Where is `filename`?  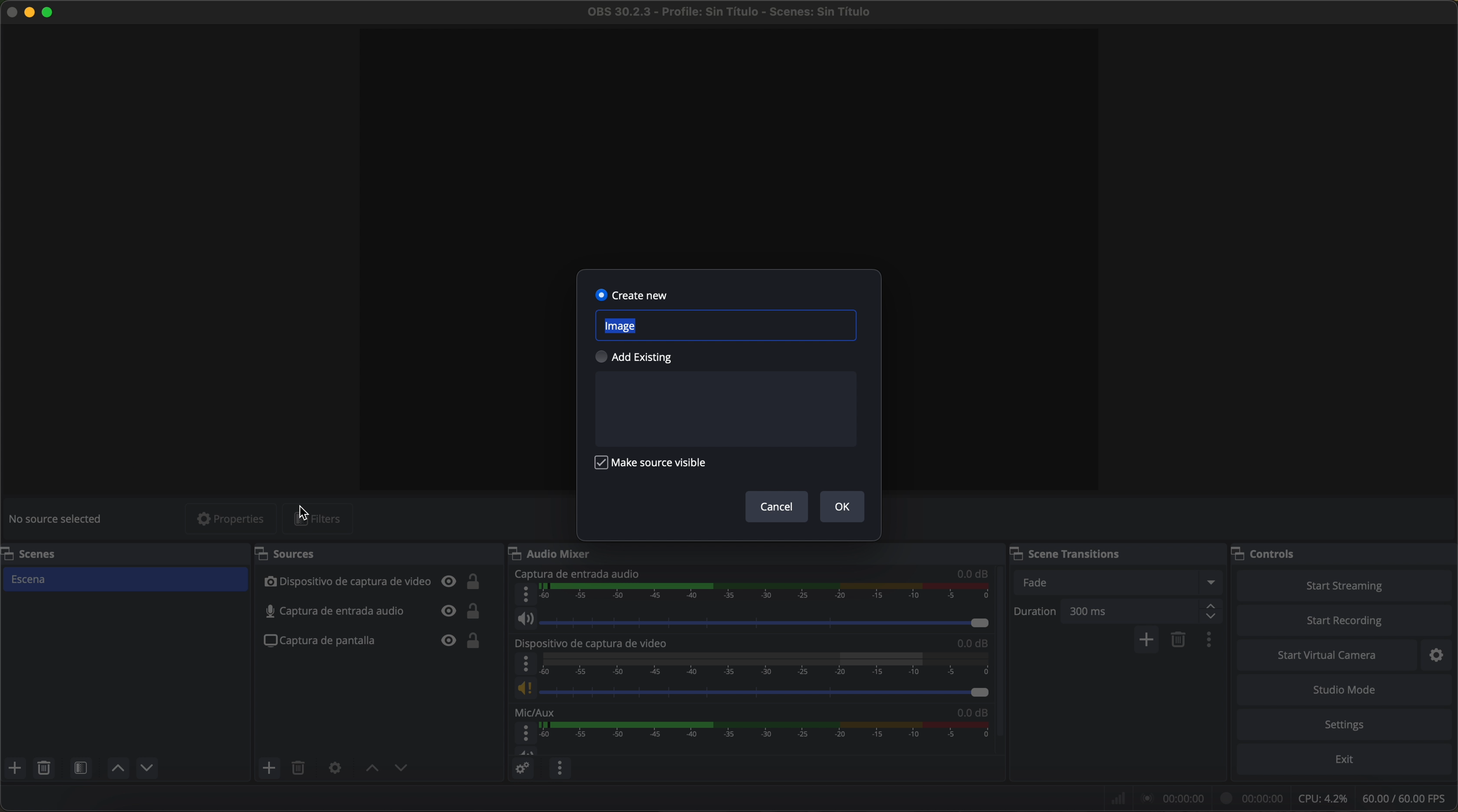
filename is located at coordinates (731, 12).